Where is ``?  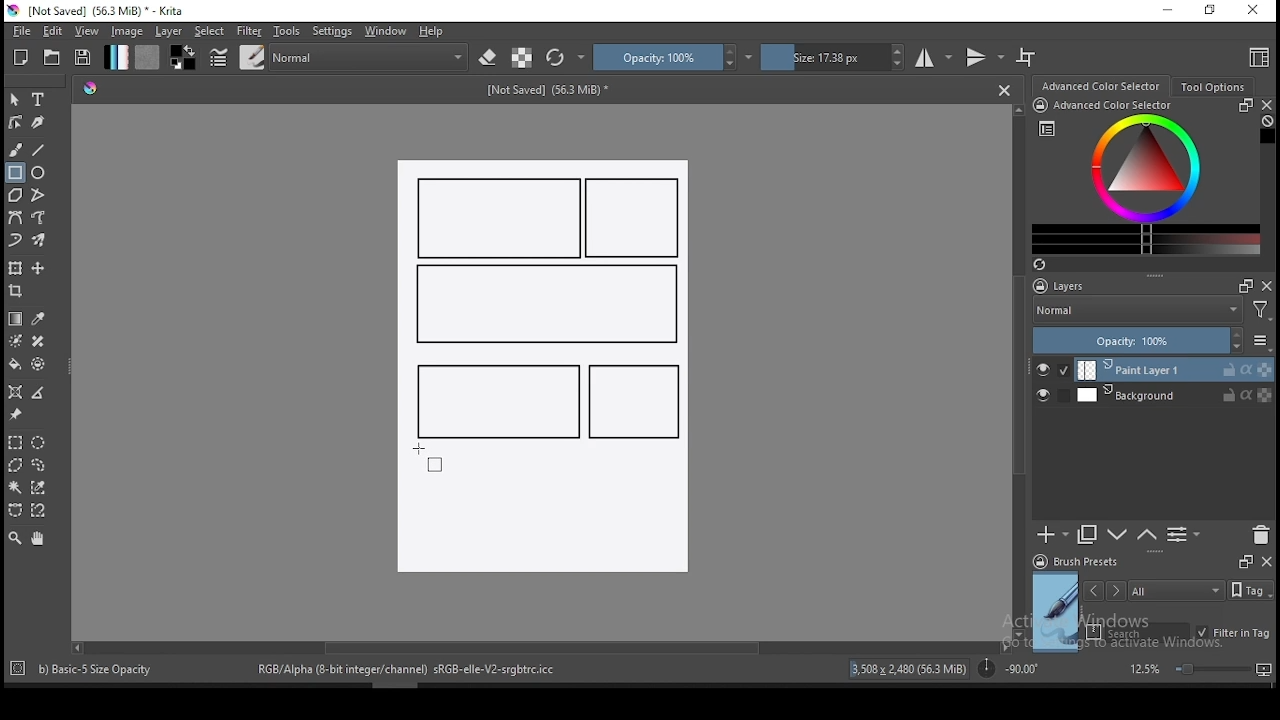  is located at coordinates (985, 55).